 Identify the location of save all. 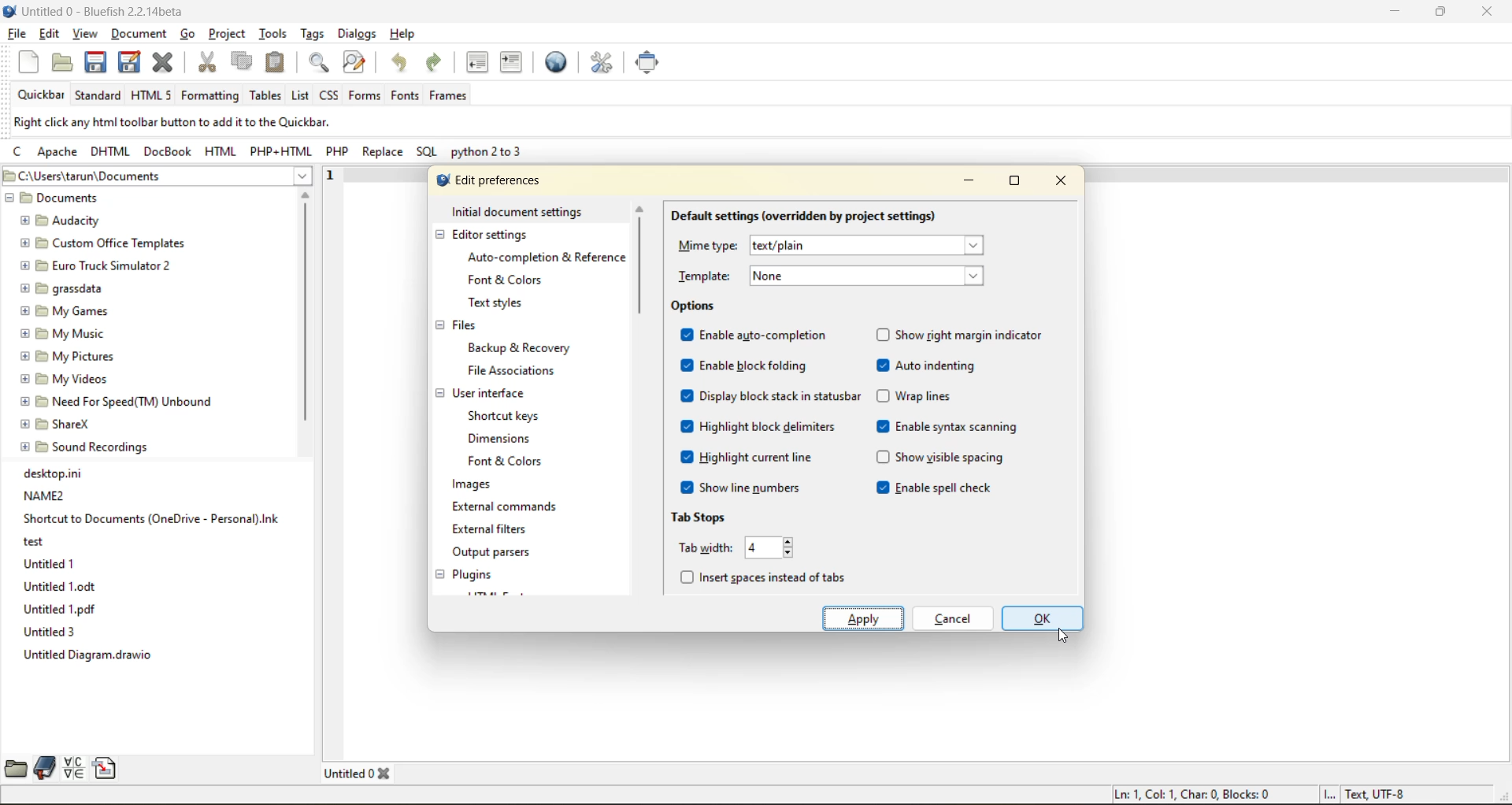
(128, 61).